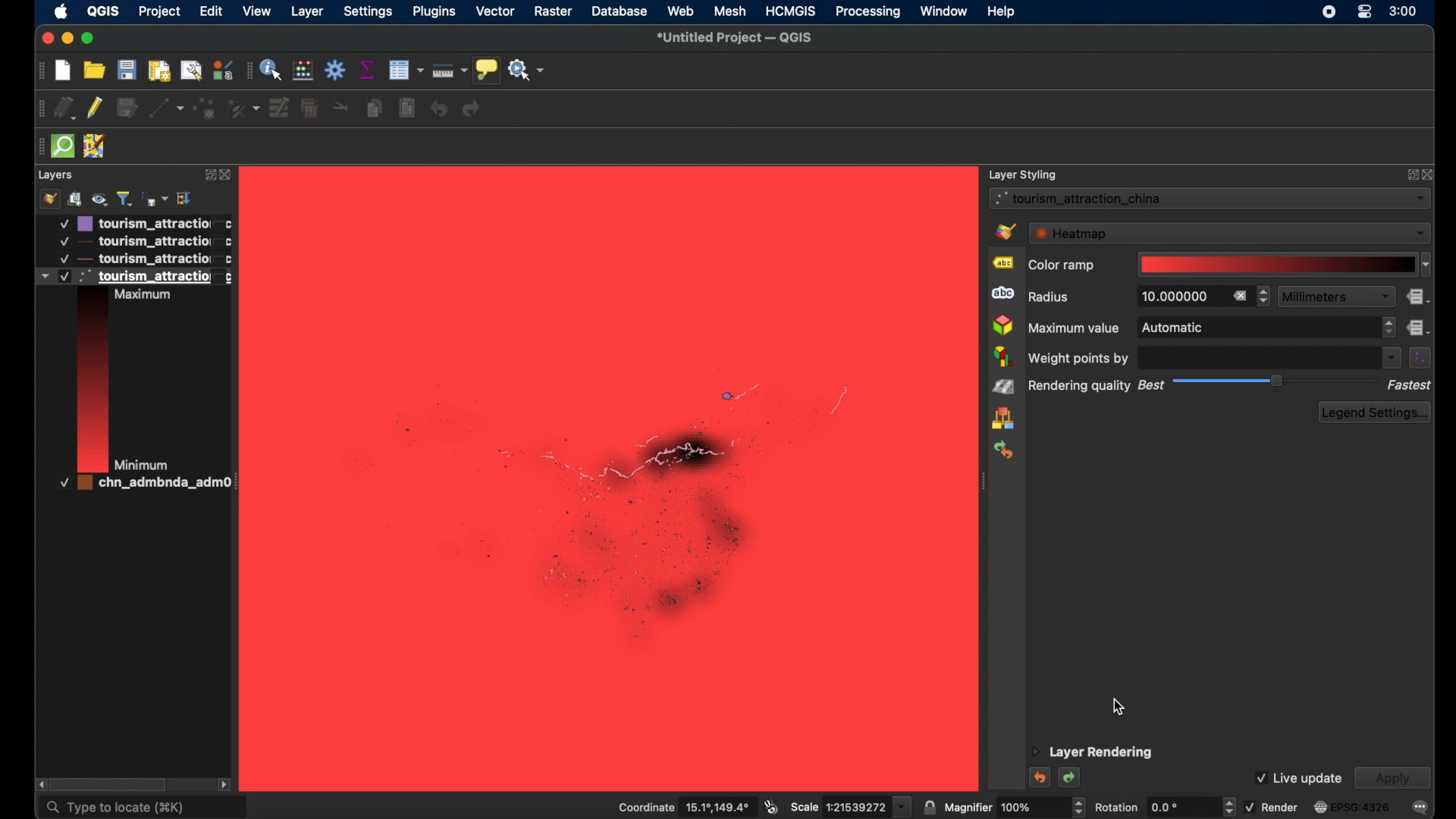 This screenshot has height=819, width=1456. What do you see at coordinates (160, 71) in the screenshot?
I see `print layout` at bounding box center [160, 71].